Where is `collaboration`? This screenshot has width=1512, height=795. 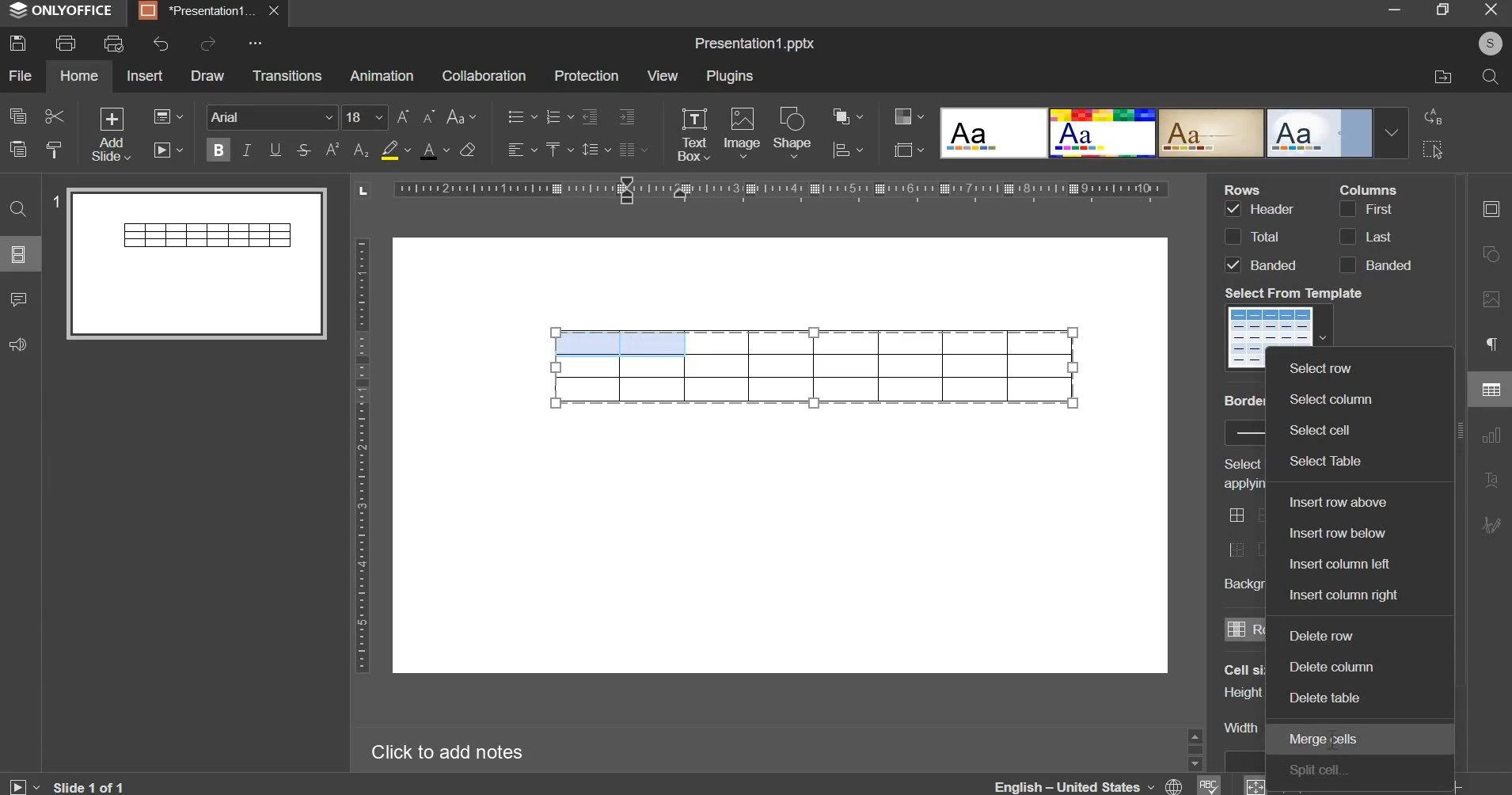 collaboration is located at coordinates (483, 75).